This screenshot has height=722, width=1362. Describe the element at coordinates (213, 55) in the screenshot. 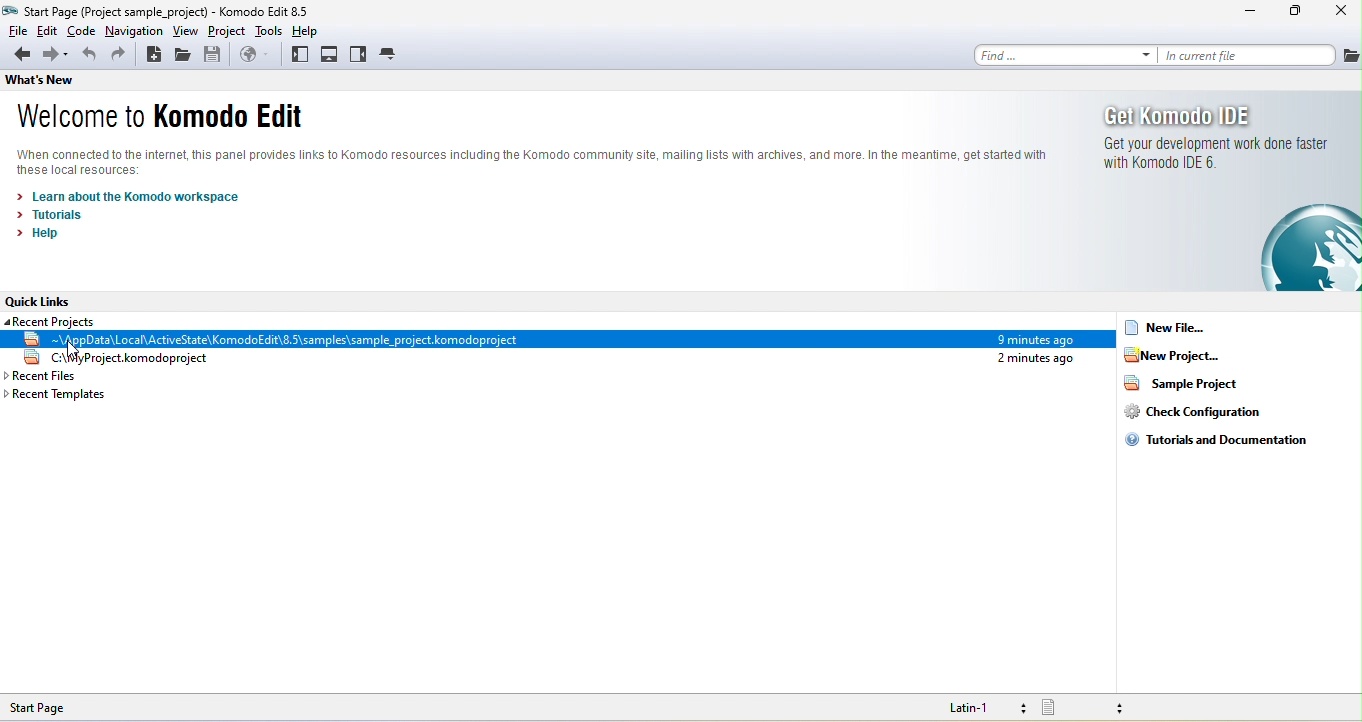

I see `save` at that location.